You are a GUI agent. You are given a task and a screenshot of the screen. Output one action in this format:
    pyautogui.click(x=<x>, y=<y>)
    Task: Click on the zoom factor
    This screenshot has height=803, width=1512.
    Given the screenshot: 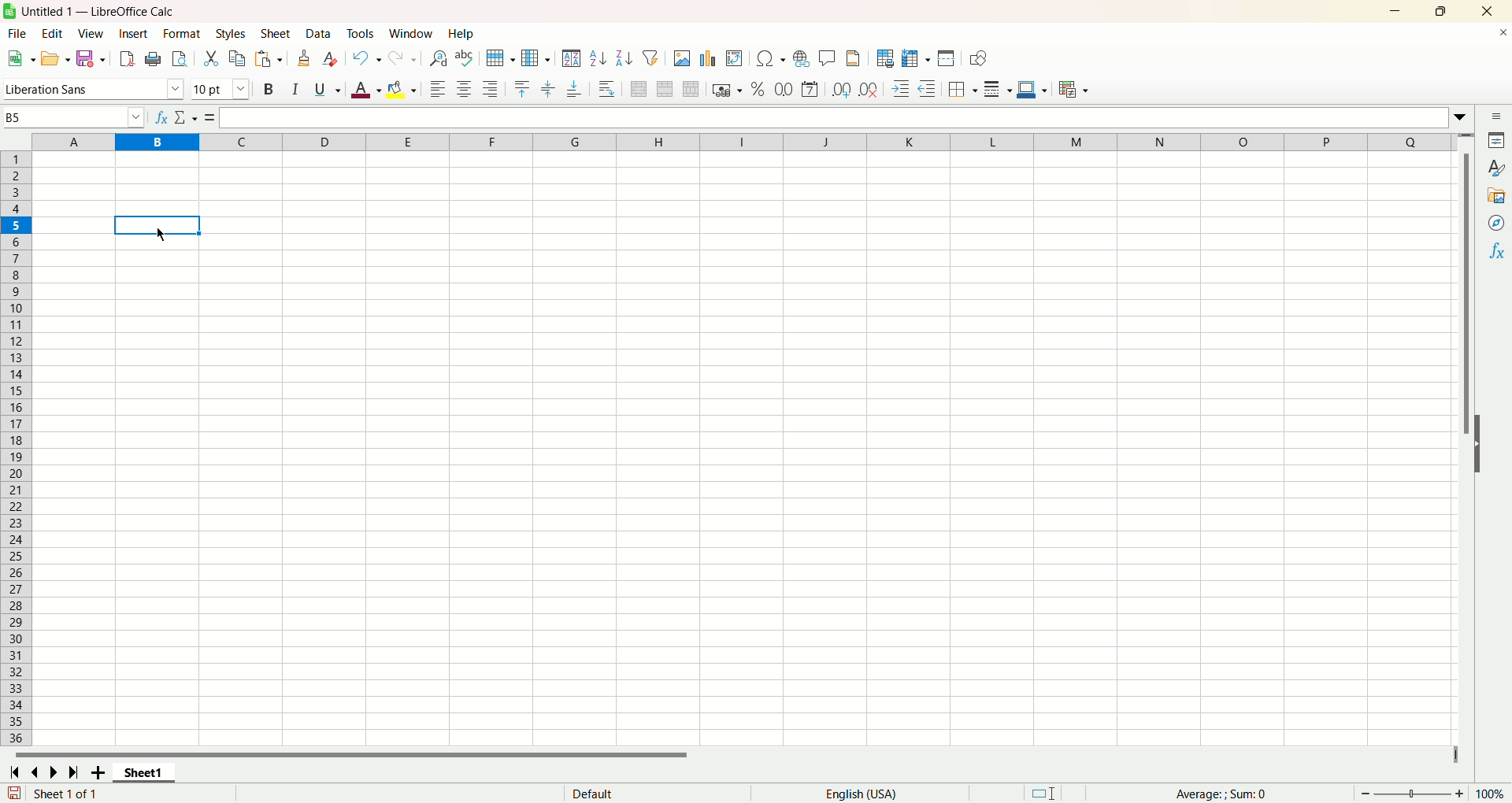 What is the action you would take?
    pyautogui.click(x=1430, y=792)
    